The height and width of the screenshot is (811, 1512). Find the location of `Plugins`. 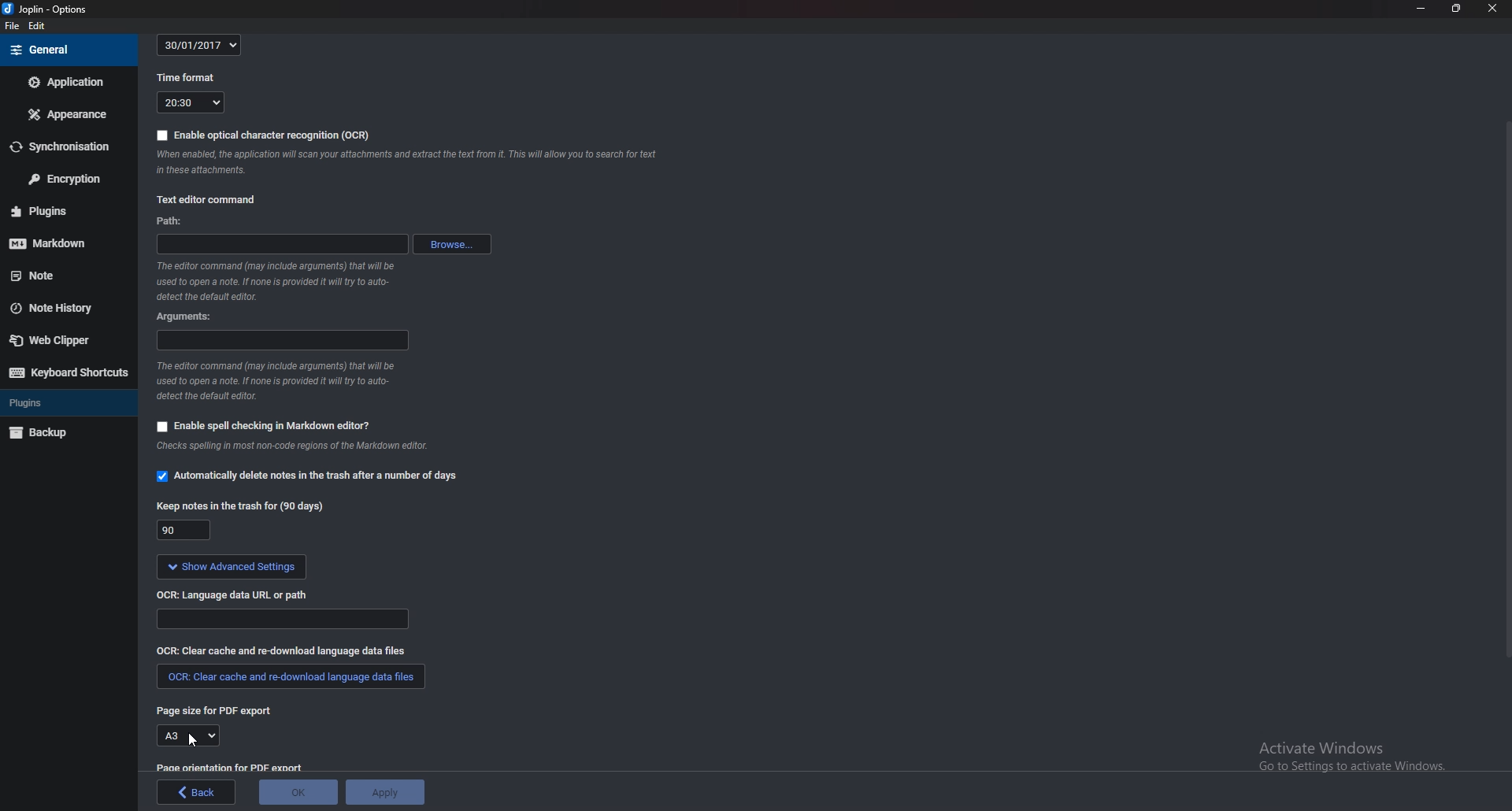

Plugins is located at coordinates (66, 402).